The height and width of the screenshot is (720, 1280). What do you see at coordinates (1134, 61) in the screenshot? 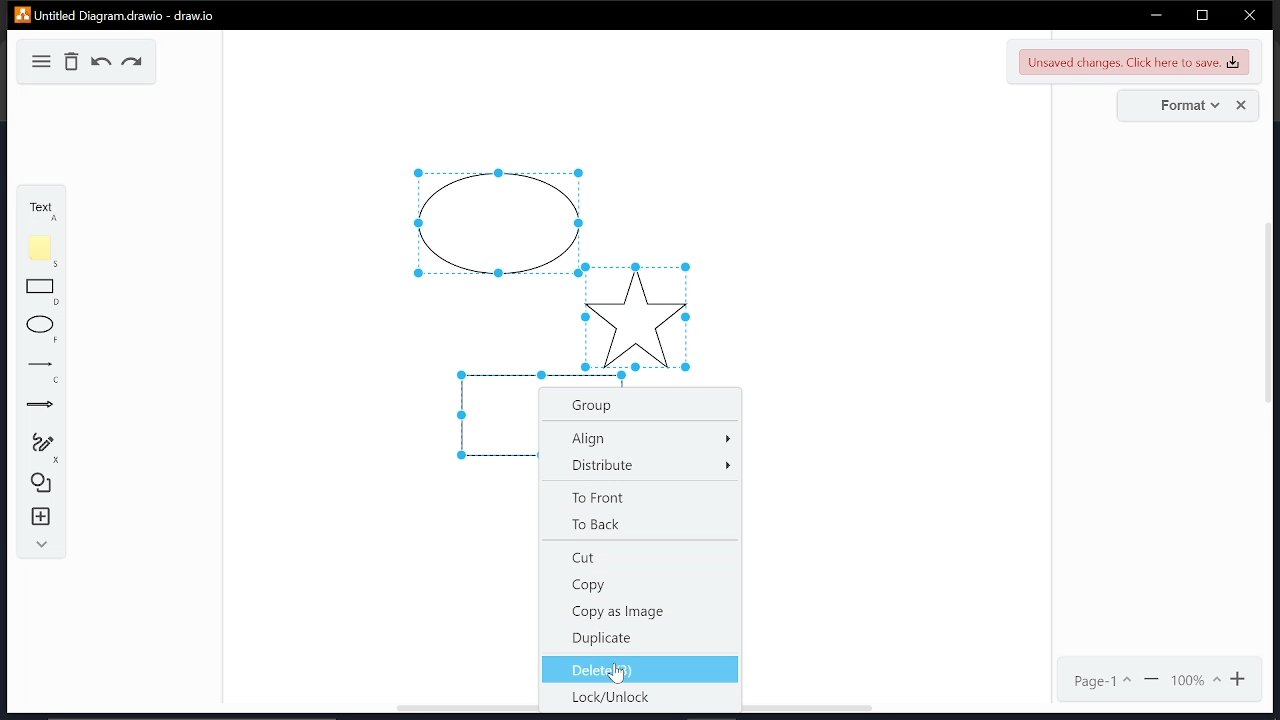
I see `unsaved changes` at bounding box center [1134, 61].